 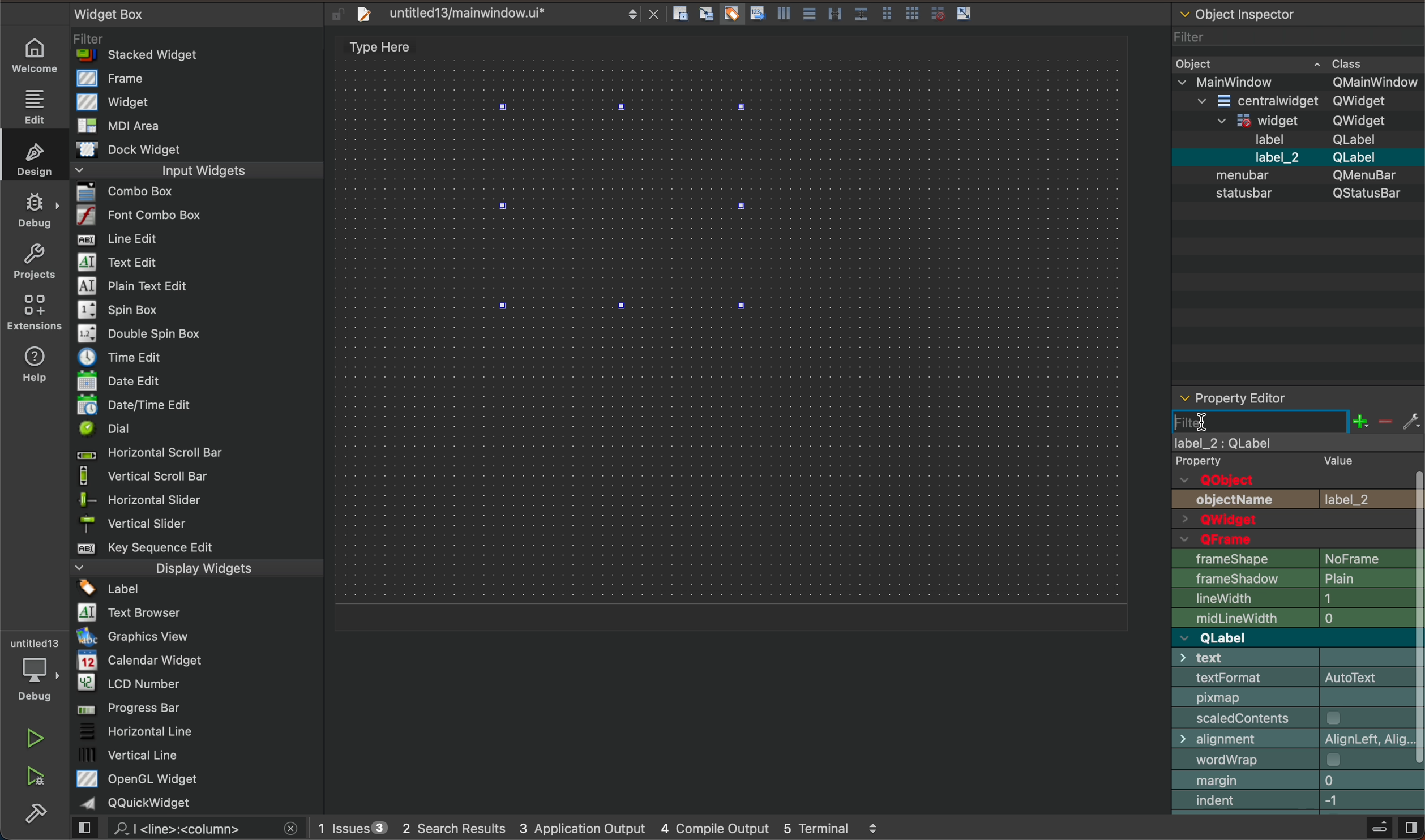 I want to click on welcome, so click(x=36, y=55).